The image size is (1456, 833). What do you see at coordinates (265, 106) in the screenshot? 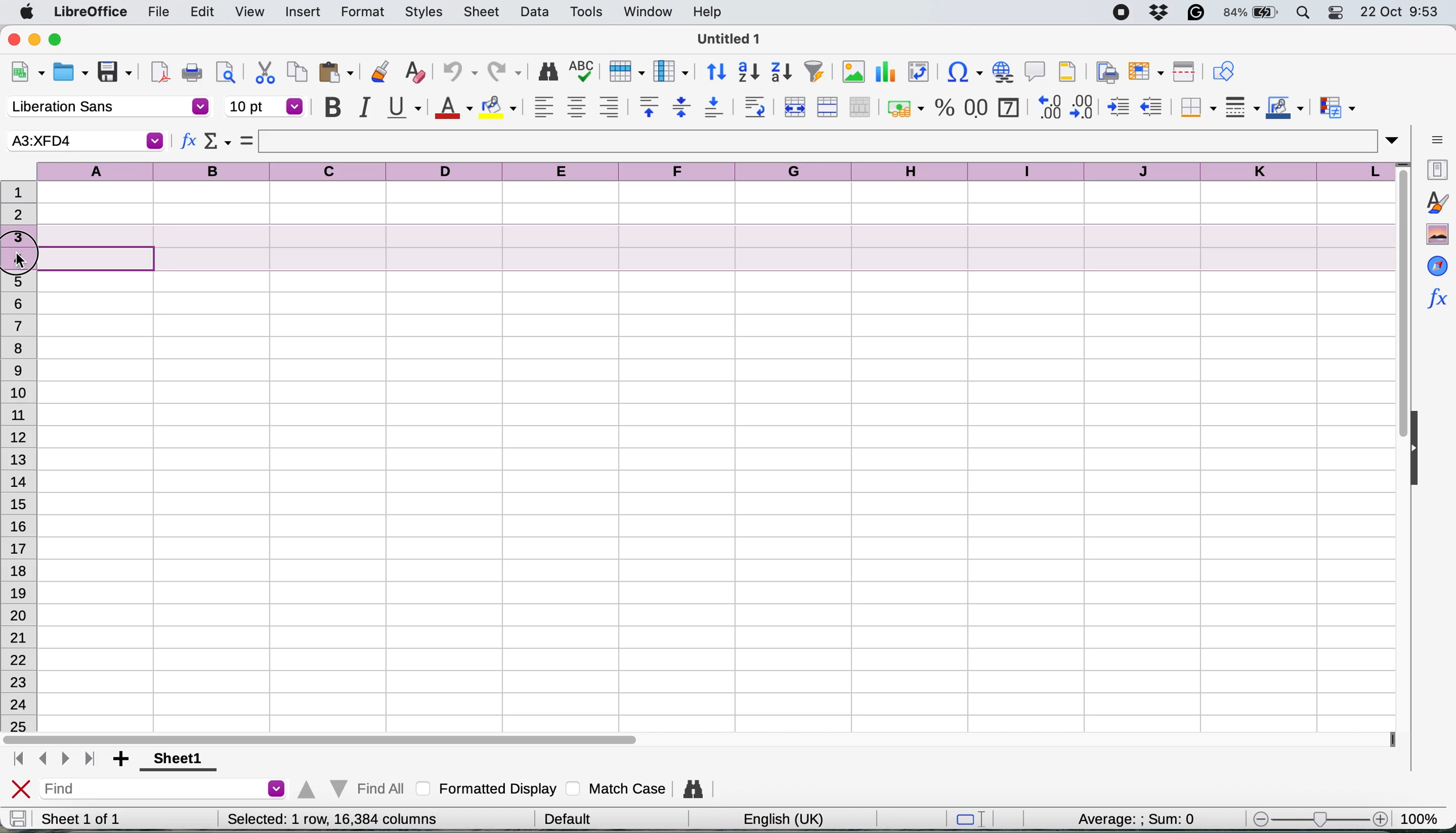
I see `font size` at bounding box center [265, 106].